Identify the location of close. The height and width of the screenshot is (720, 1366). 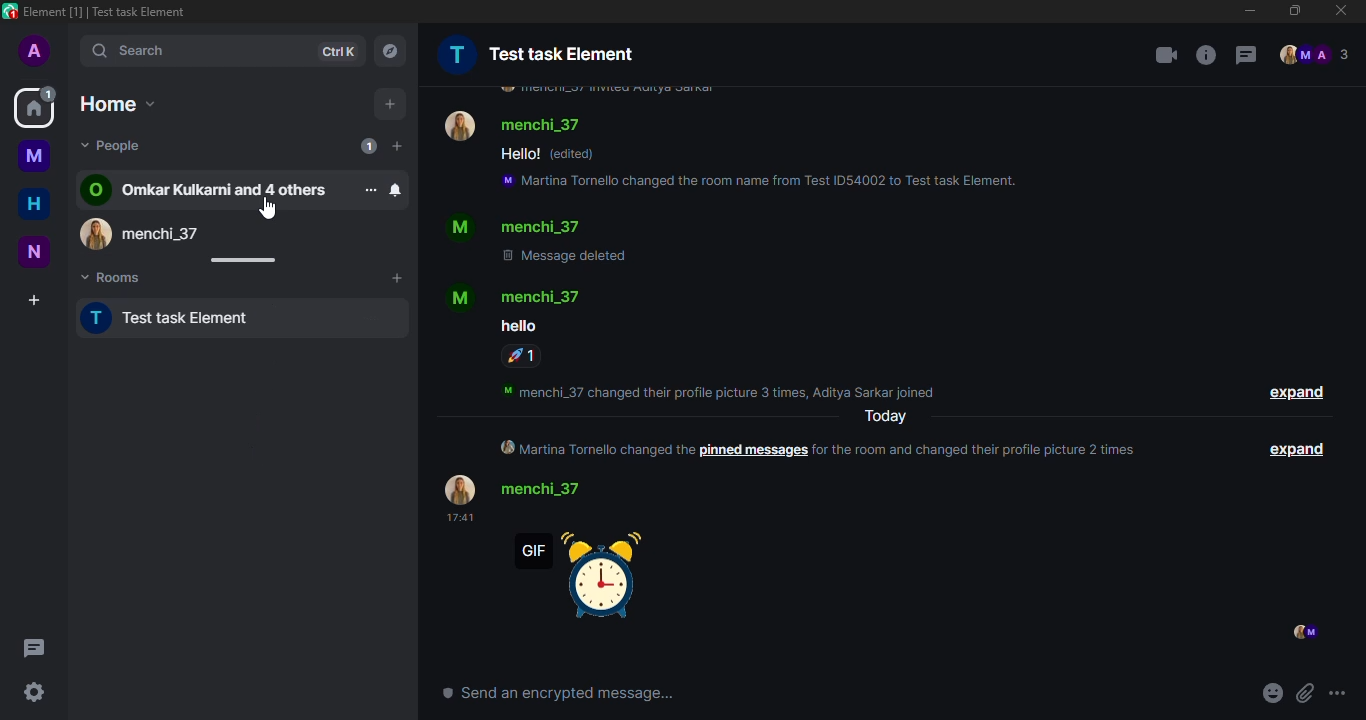
(1341, 10).